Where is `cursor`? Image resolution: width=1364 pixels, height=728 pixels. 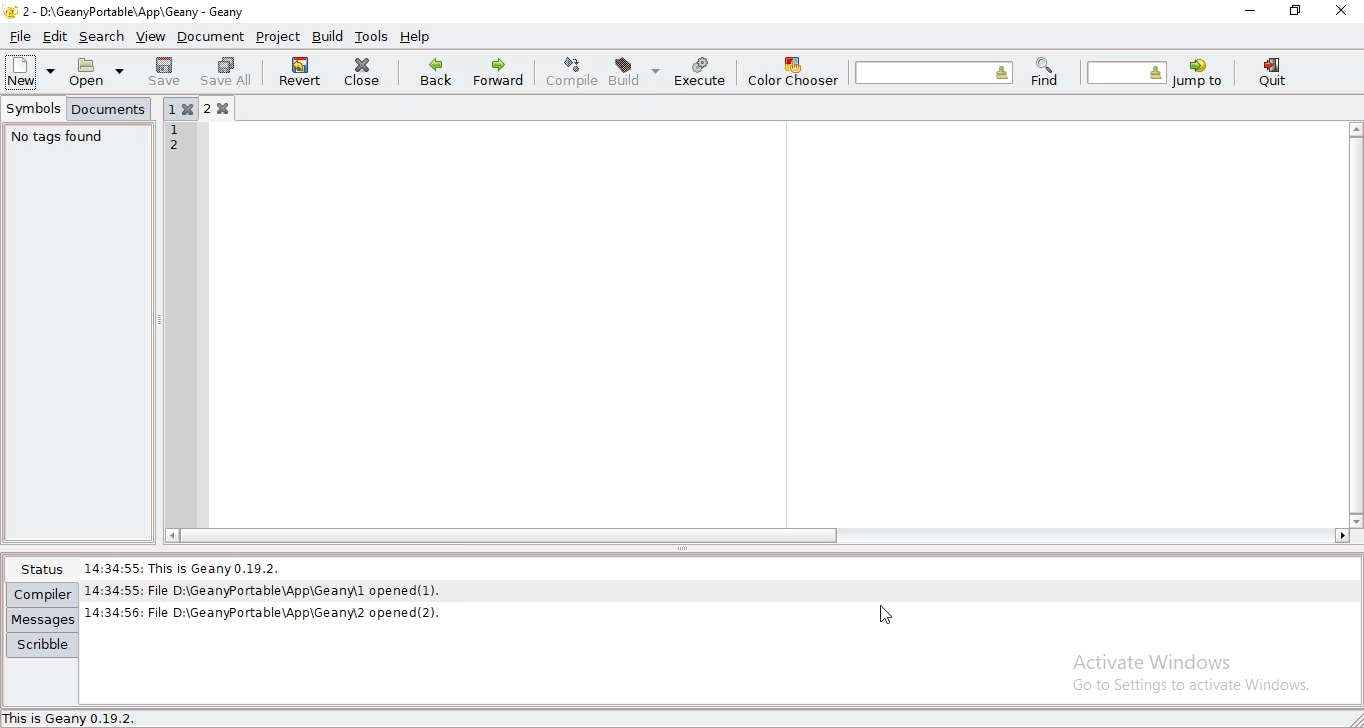 cursor is located at coordinates (888, 617).